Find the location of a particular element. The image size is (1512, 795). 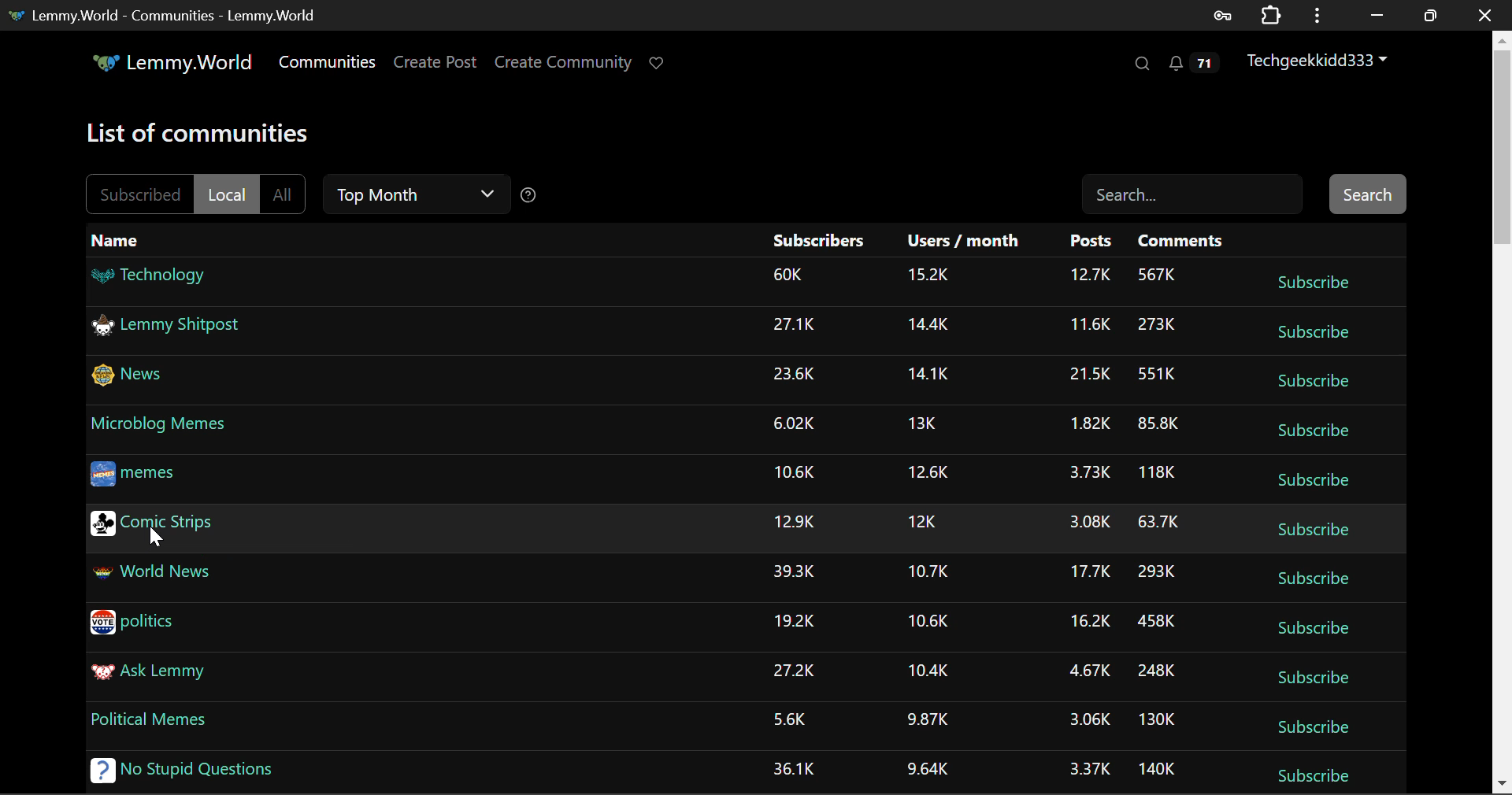

27.1K is located at coordinates (797, 325).